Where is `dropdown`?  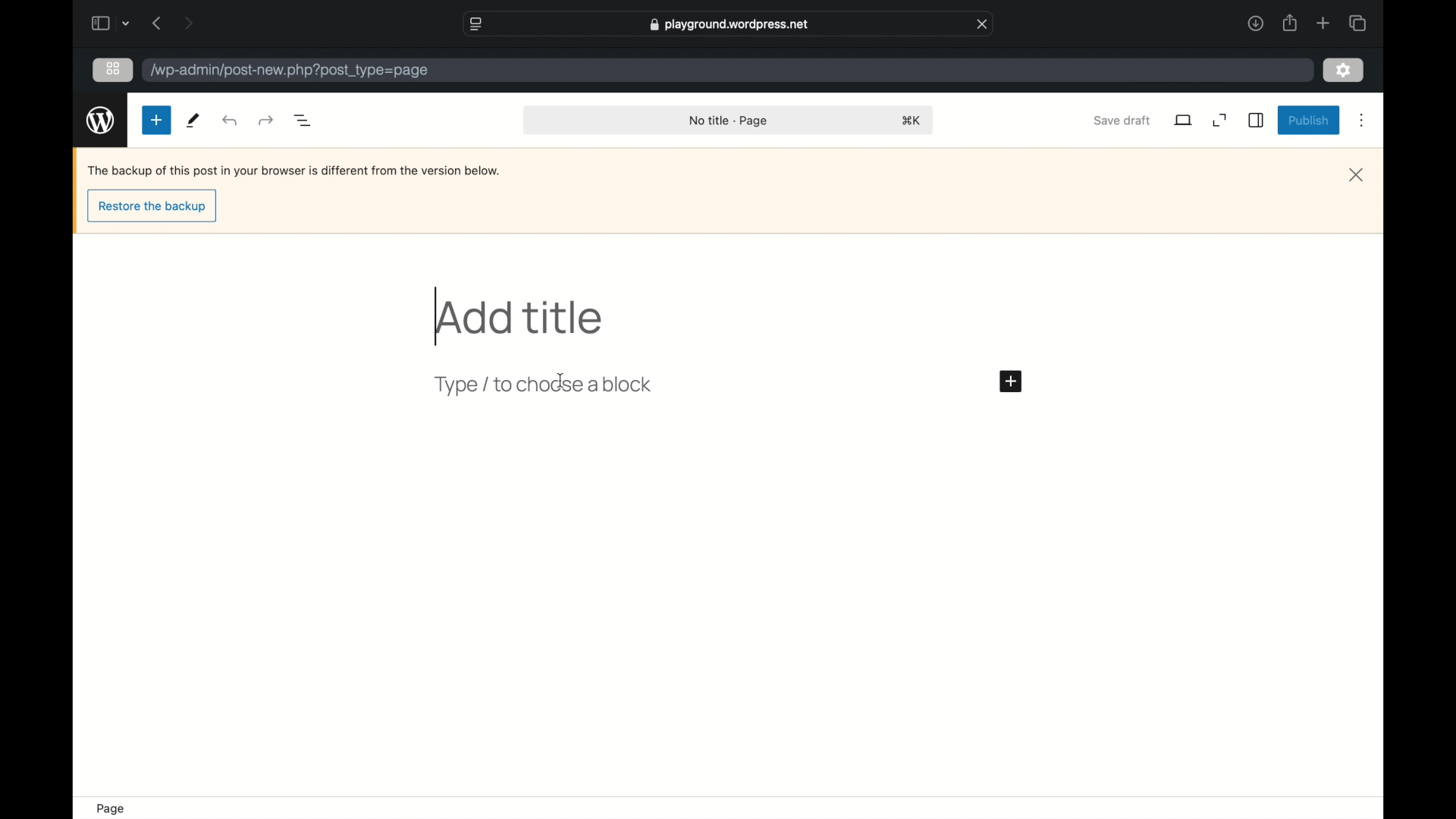
dropdown is located at coordinates (127, 24).